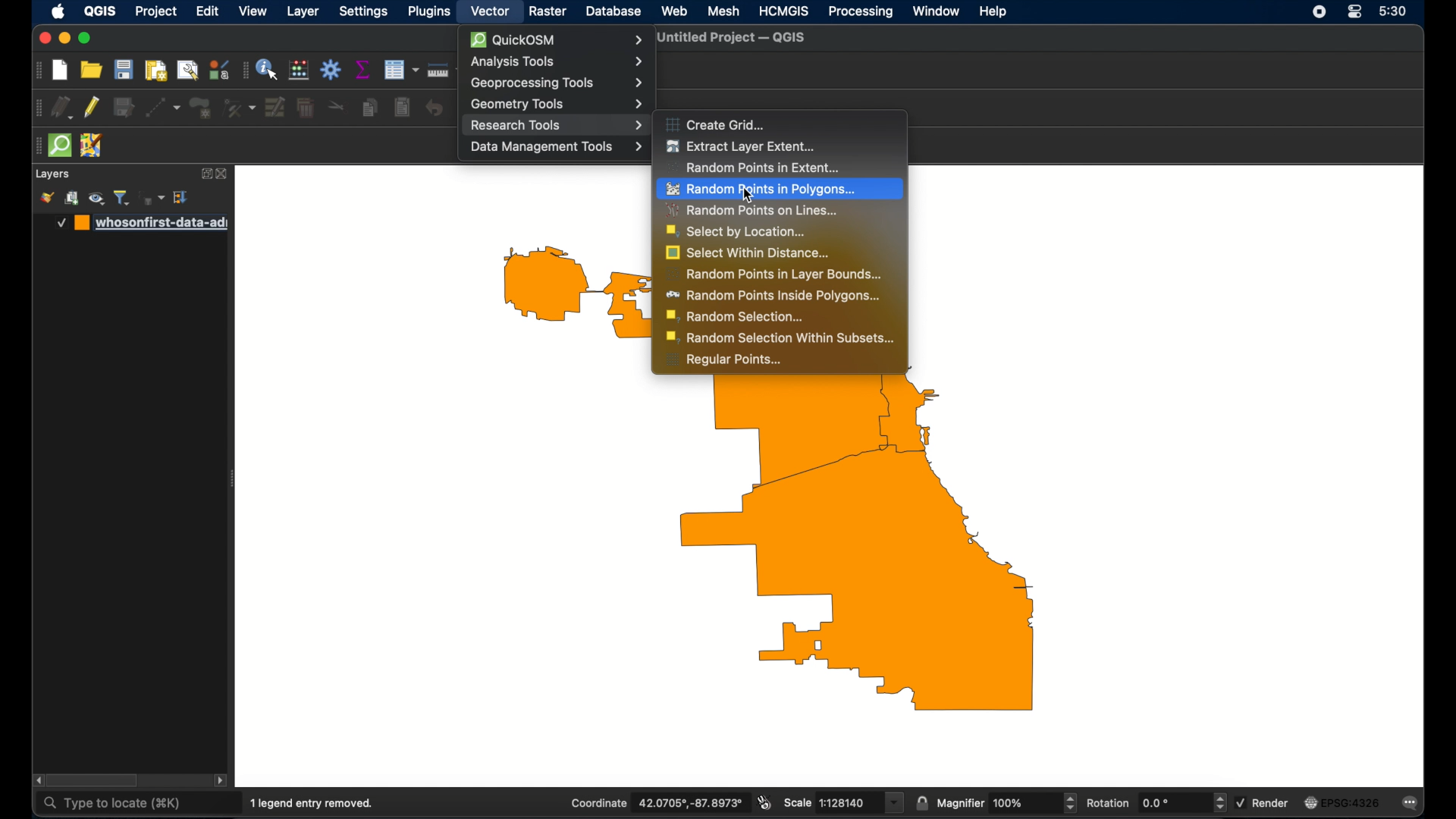 The height and width of the screenshot is (819, 1456). I want to click on random points on lines, so click(753, 211).